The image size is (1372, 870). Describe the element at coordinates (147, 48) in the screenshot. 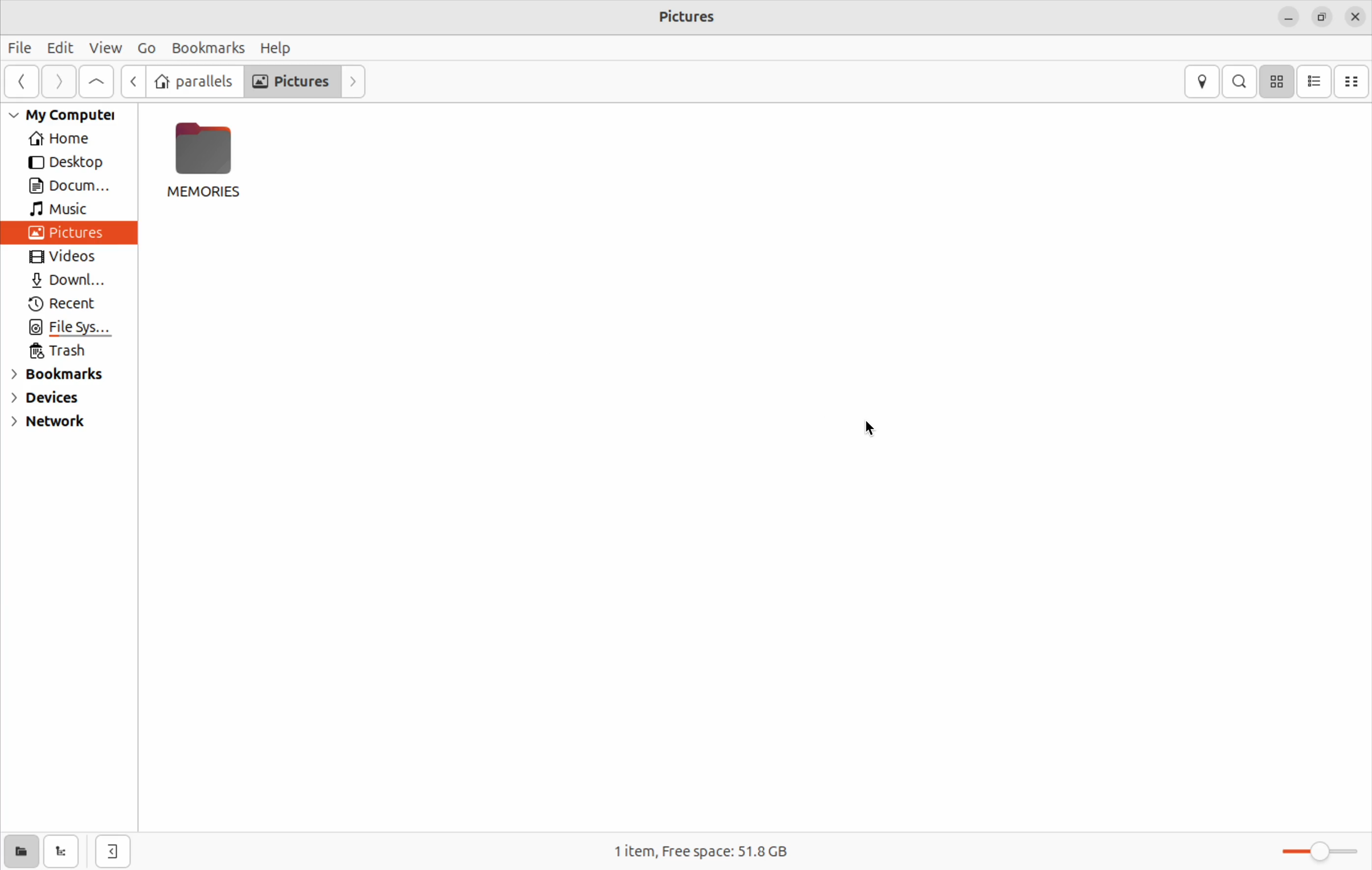

I see `Go` at that location.